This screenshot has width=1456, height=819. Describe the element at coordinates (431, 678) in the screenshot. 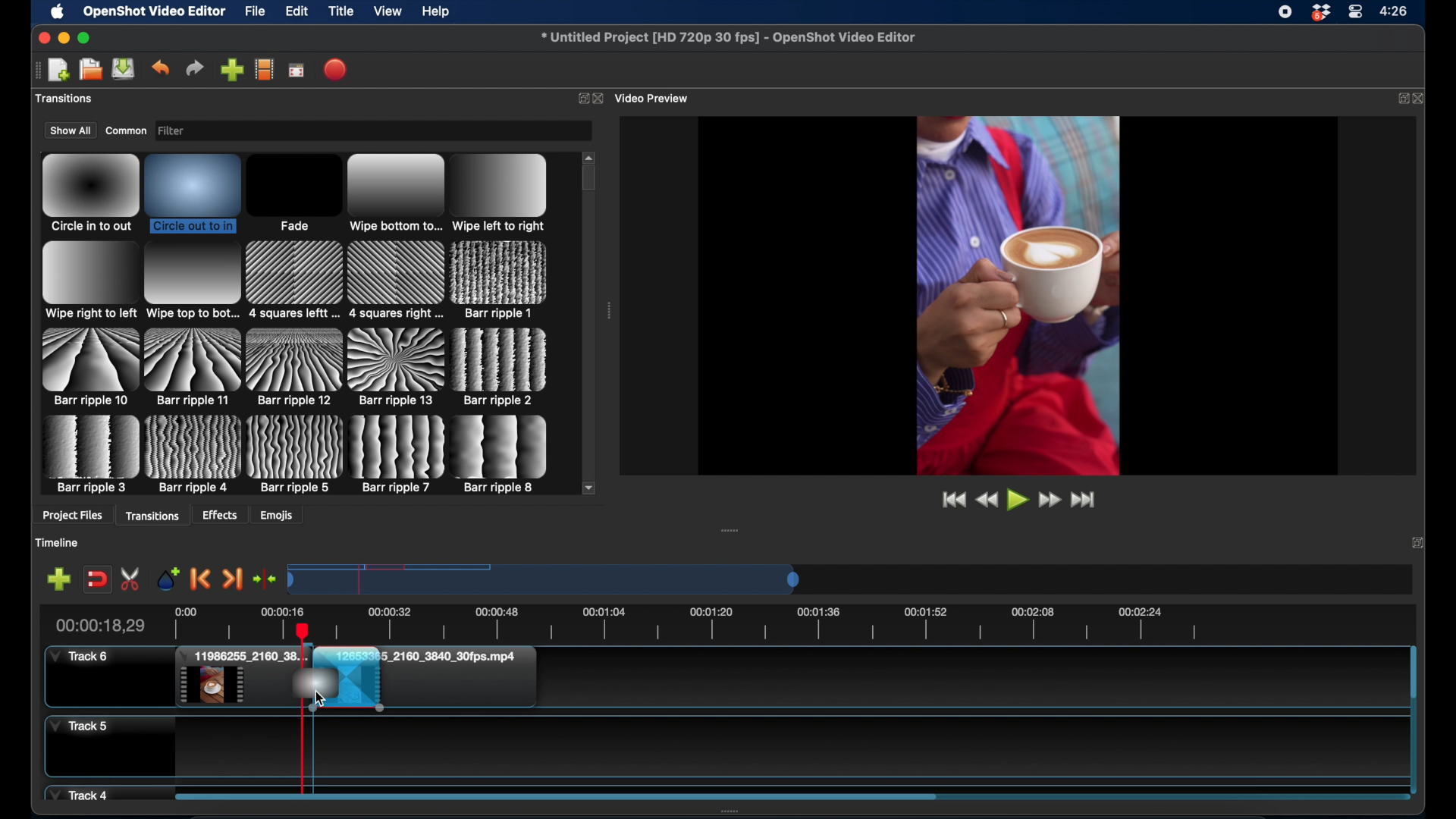

I see `clip` at that location.